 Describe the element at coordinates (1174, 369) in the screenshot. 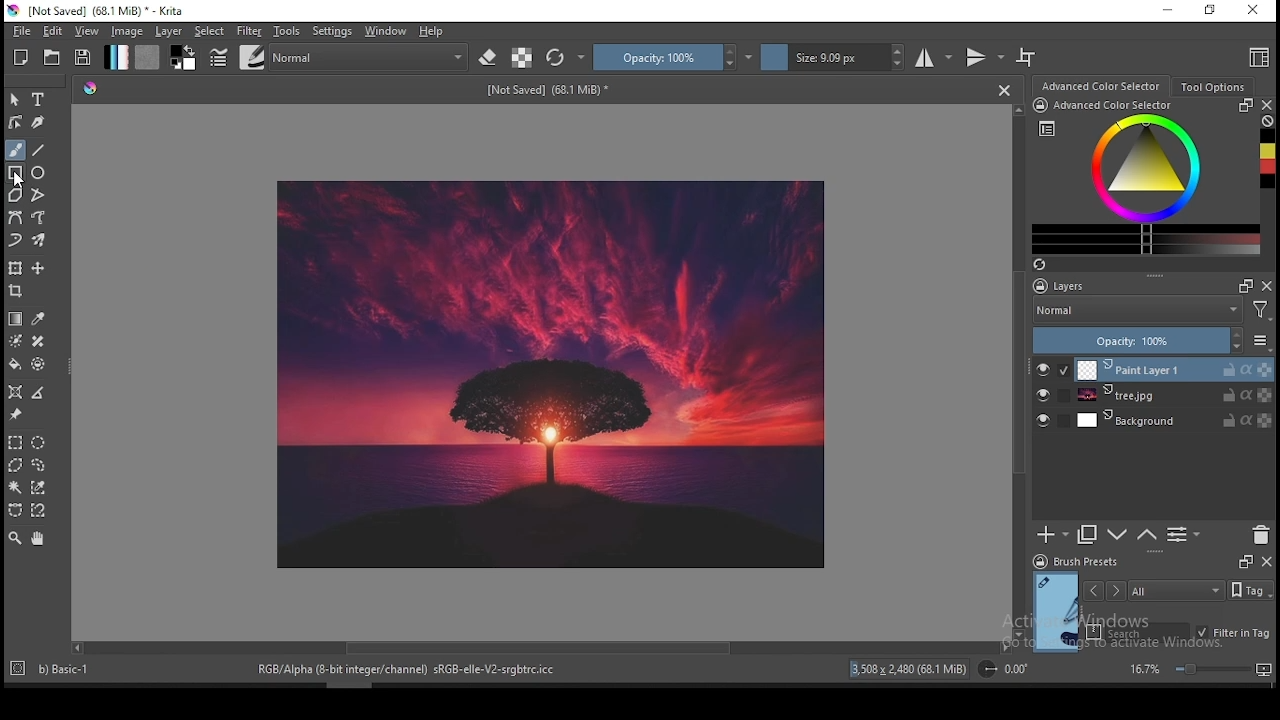

I see `layer` at that location.